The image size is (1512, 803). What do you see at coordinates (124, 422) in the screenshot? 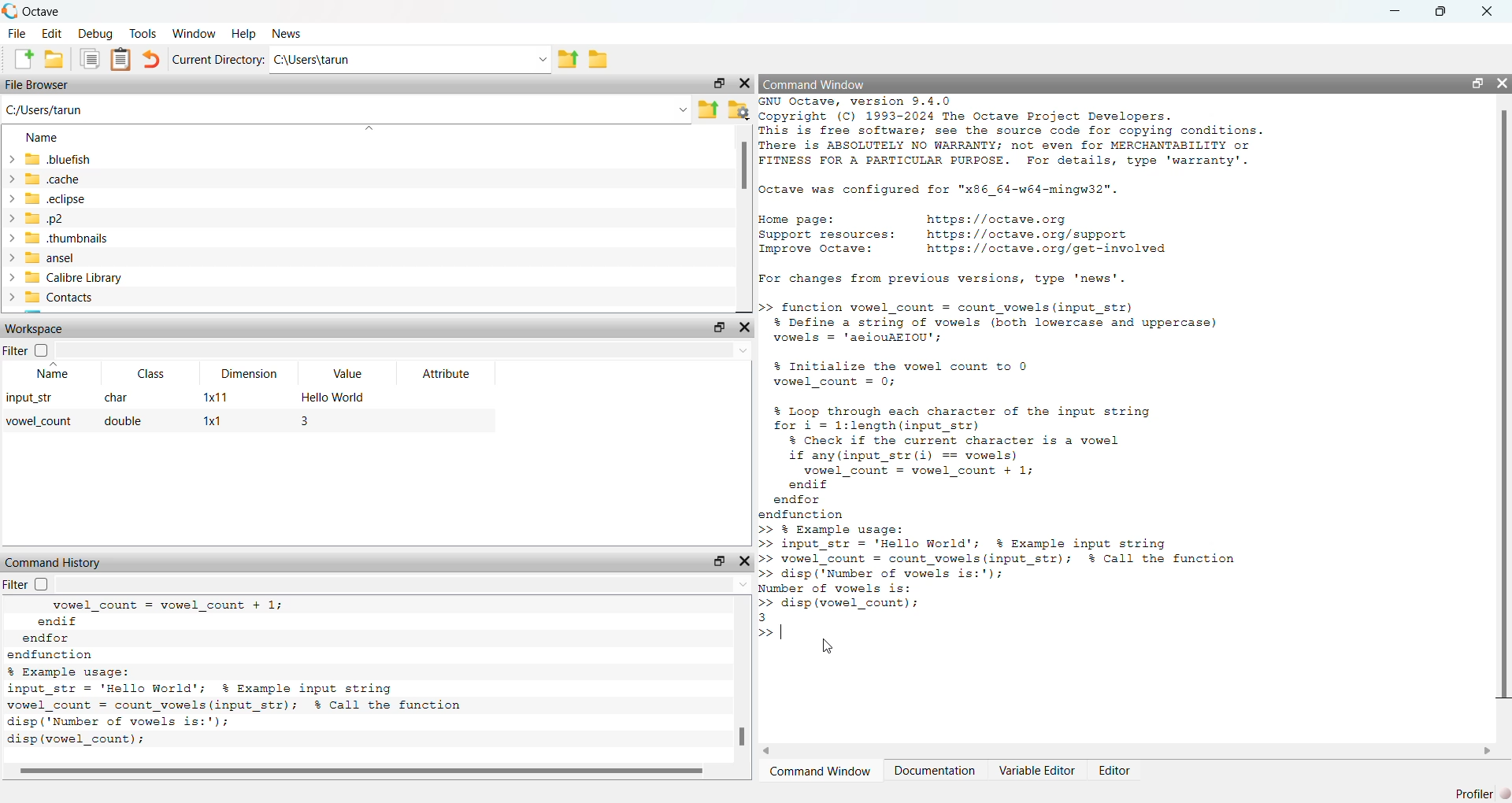
I see `double` at bounding box center [124, 422].